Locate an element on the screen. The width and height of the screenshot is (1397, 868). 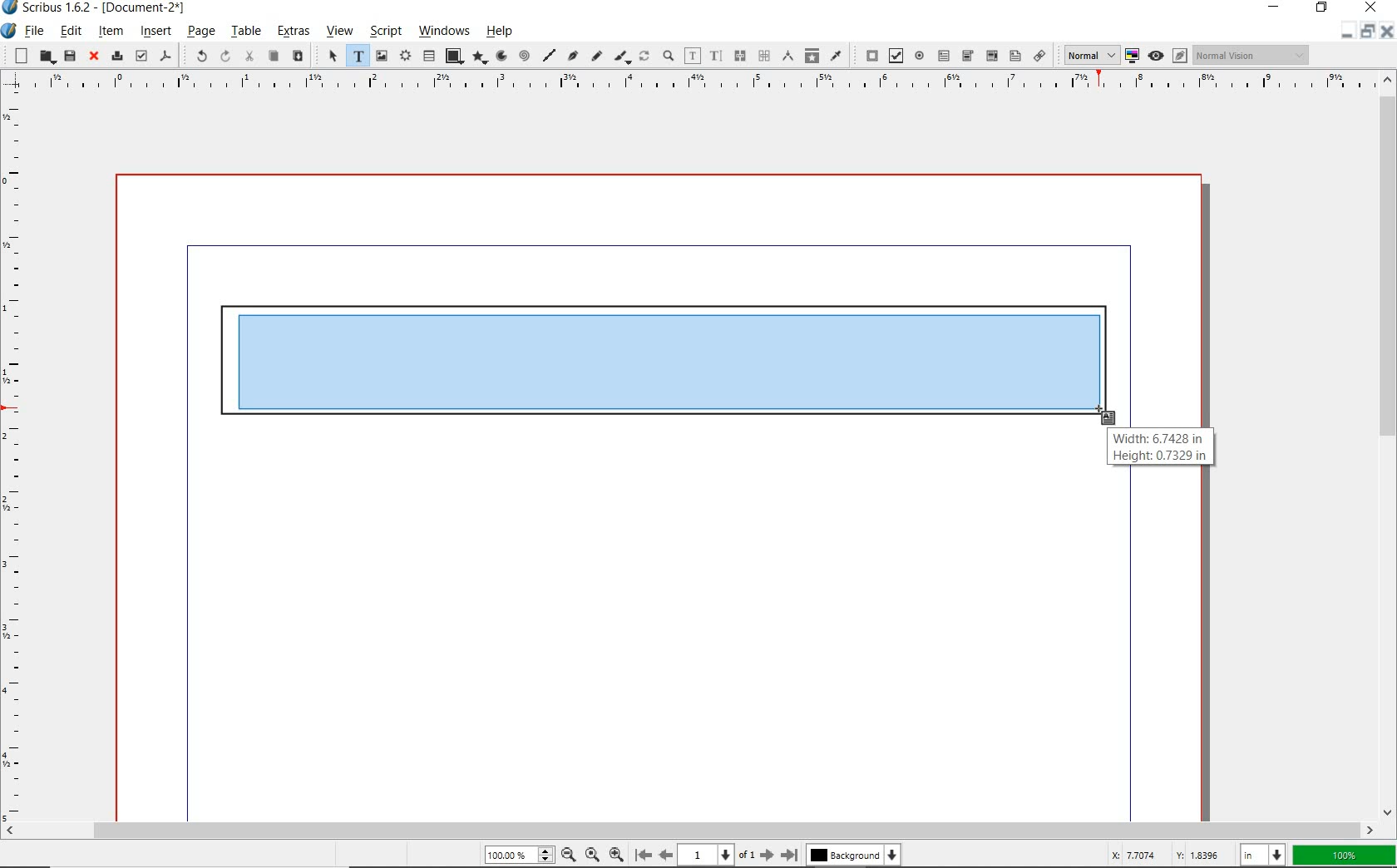
new is located at coordinates (17, 55).